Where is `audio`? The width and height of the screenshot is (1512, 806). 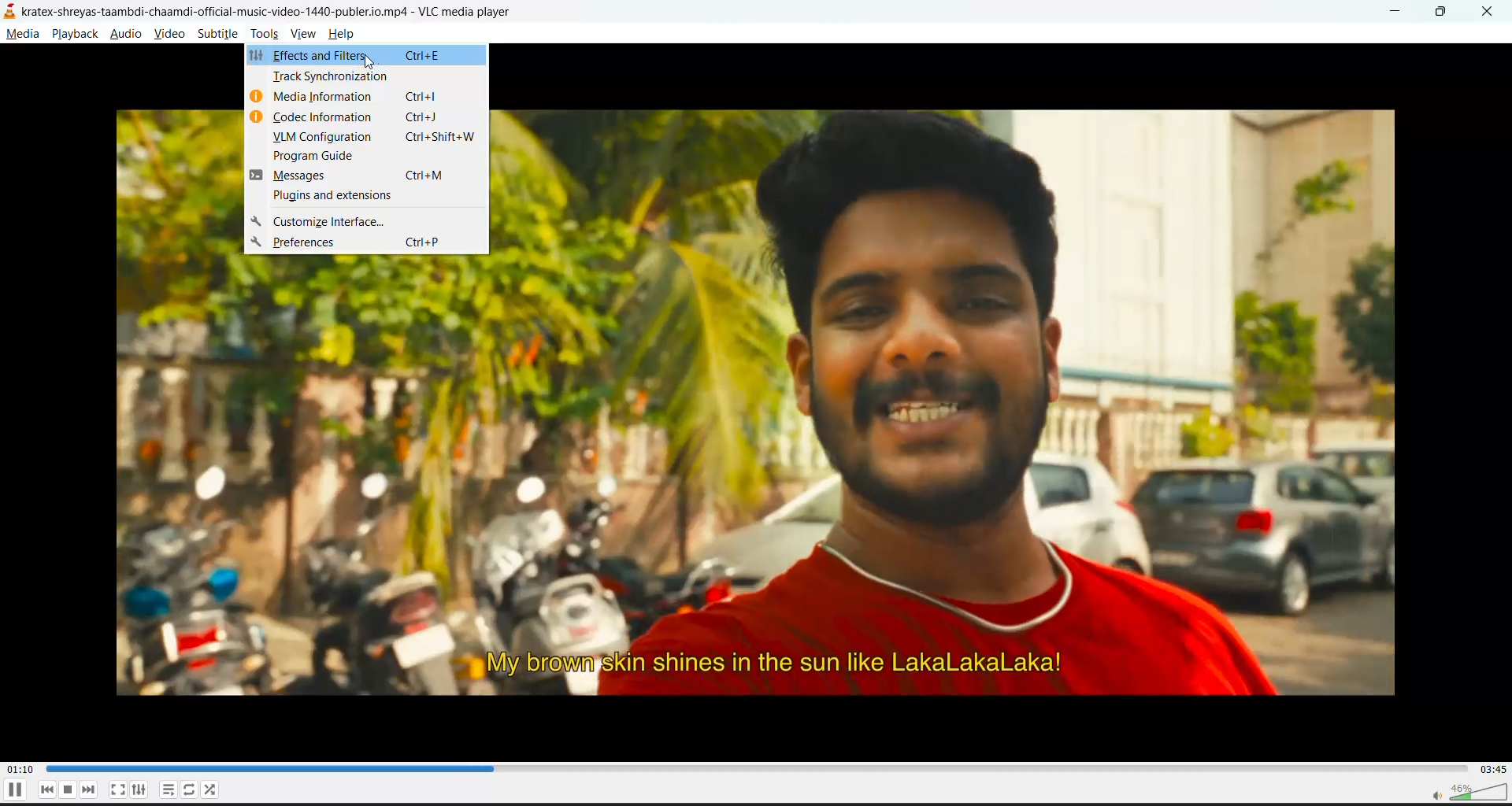
audio is located at coordinates (130, 35).